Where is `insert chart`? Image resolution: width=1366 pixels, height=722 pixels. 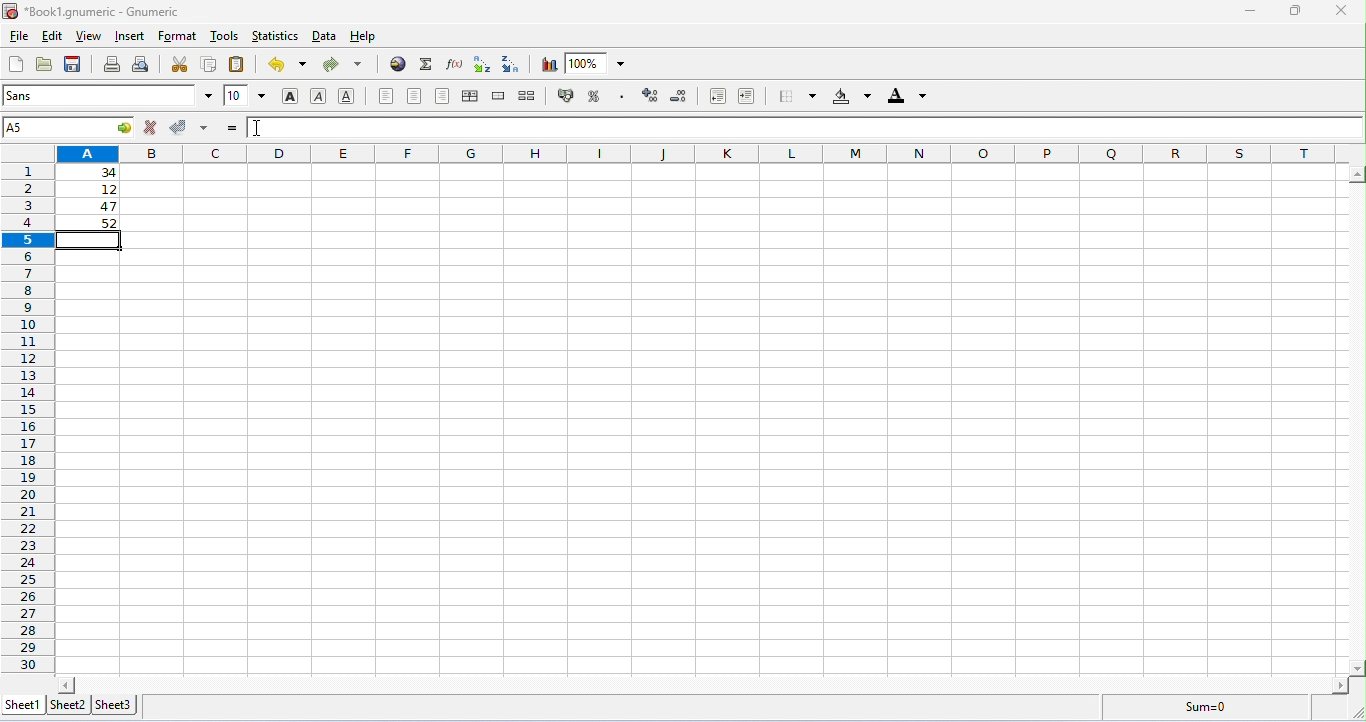 insert chart is located at coordinates (549, 65).